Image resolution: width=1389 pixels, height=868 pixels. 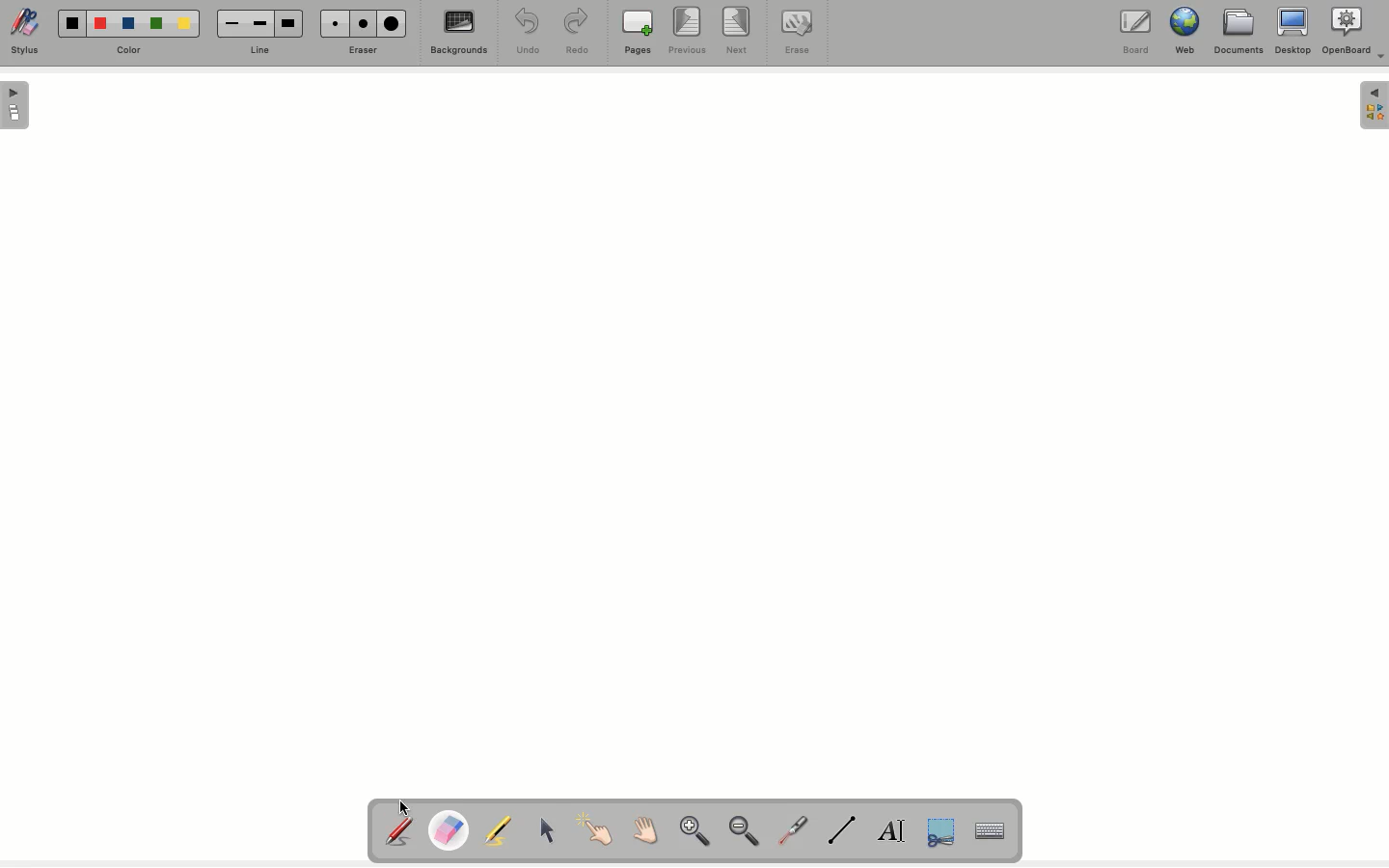 What do you see at coordinates (160, 22) in the screenshot?
I see `Green` at bounding box center [160, 22].